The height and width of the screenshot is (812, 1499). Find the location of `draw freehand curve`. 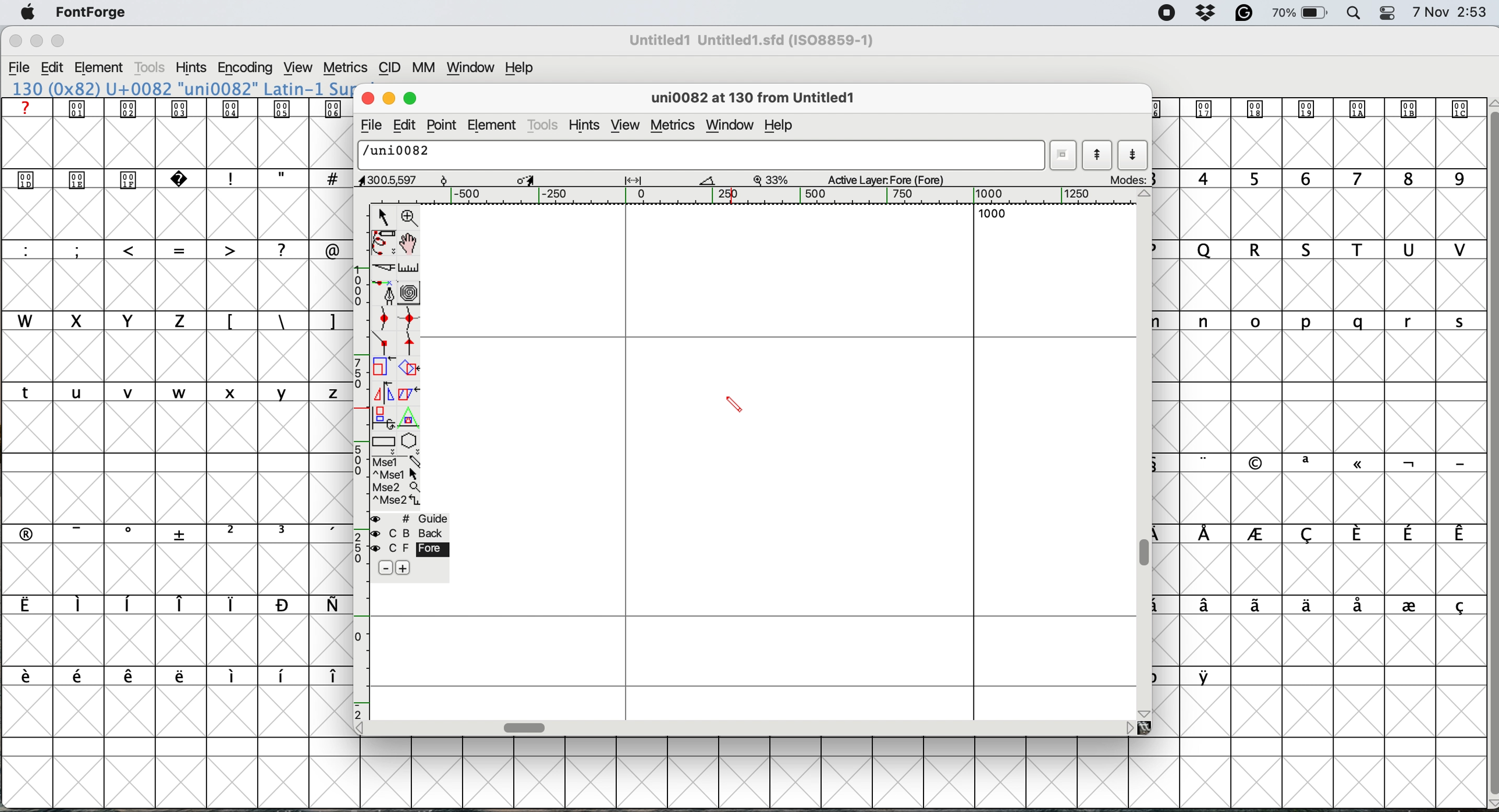

draw freehand curve is located at coordinates (382, 243).